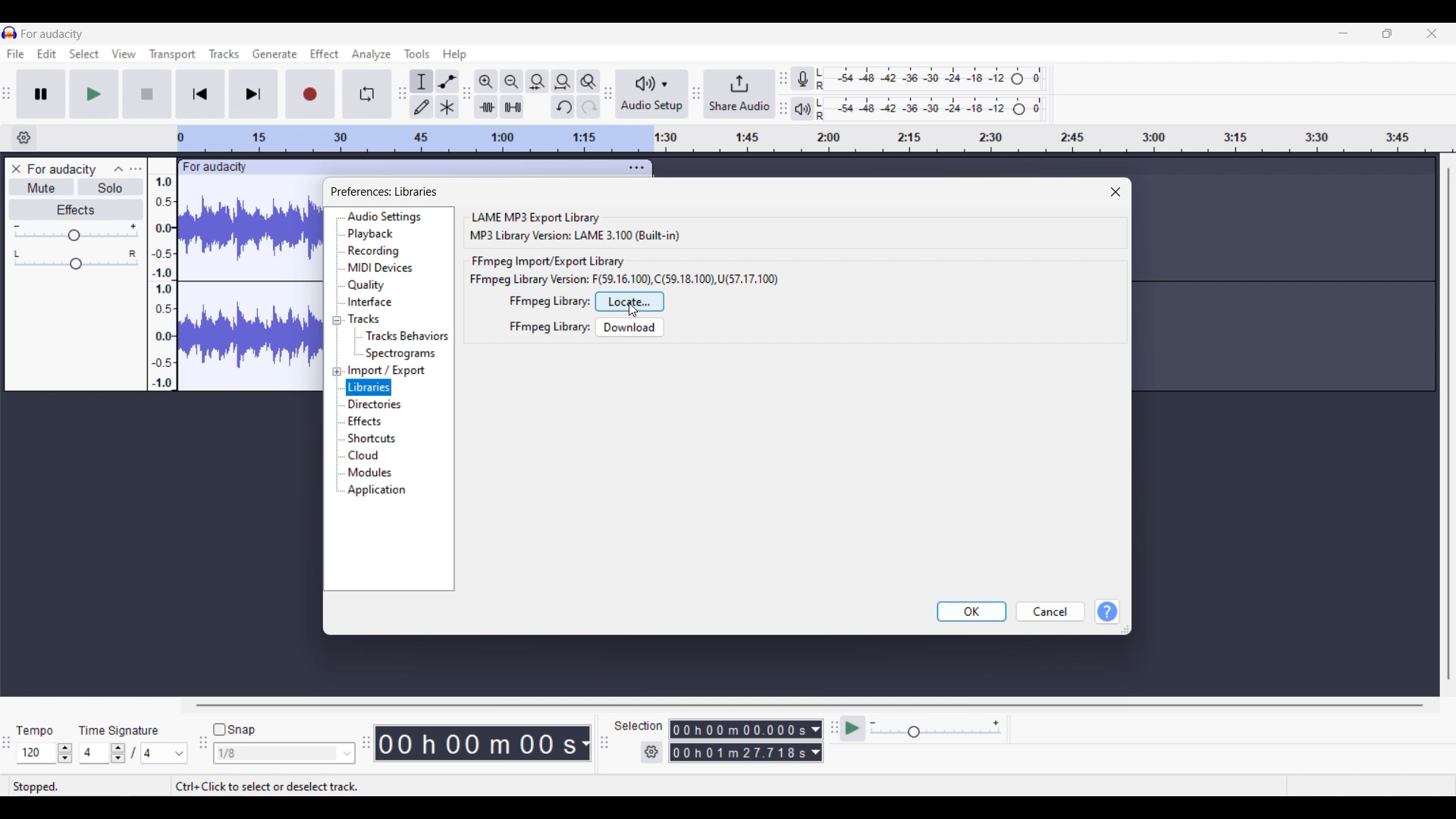 This screenshot has width=1456, height=819. I want to click on Playback level, so click(930, 109).